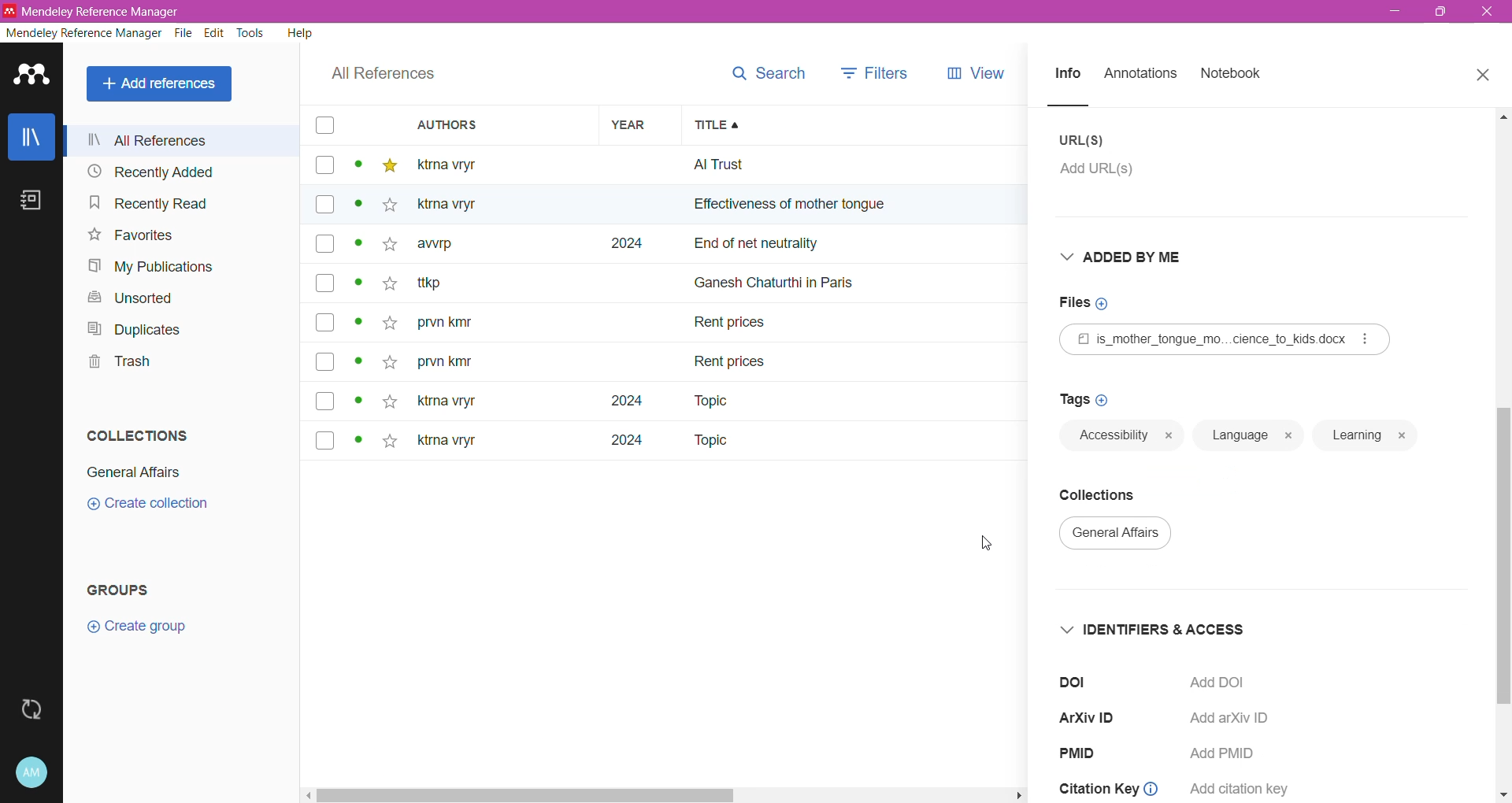 This screenshot has height=803, width=1512. Describe the element at coordinates (326, 363) in the screenshot. I see `box` at that location.